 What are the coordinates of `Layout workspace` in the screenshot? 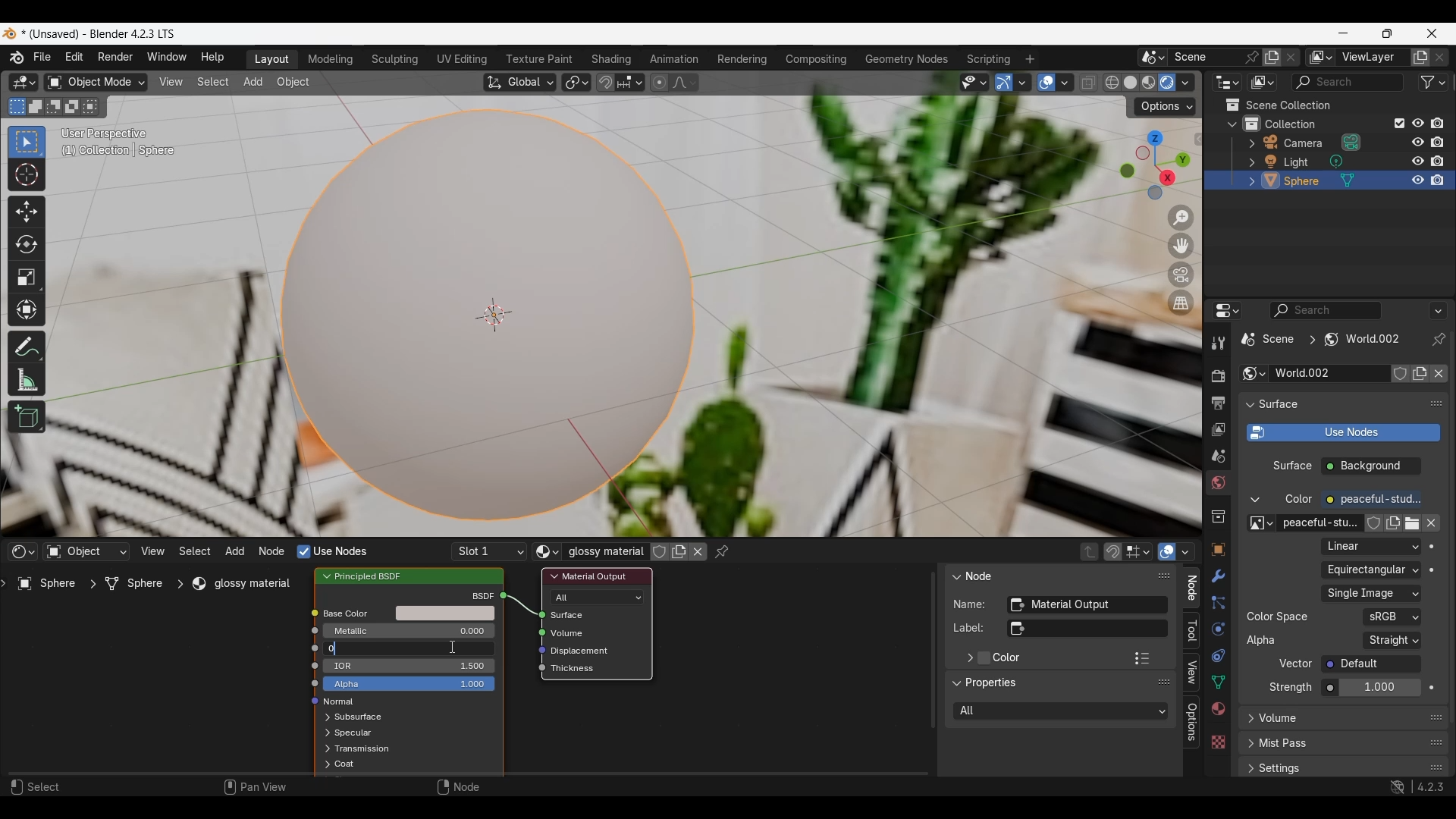 It's located at (271, 60).